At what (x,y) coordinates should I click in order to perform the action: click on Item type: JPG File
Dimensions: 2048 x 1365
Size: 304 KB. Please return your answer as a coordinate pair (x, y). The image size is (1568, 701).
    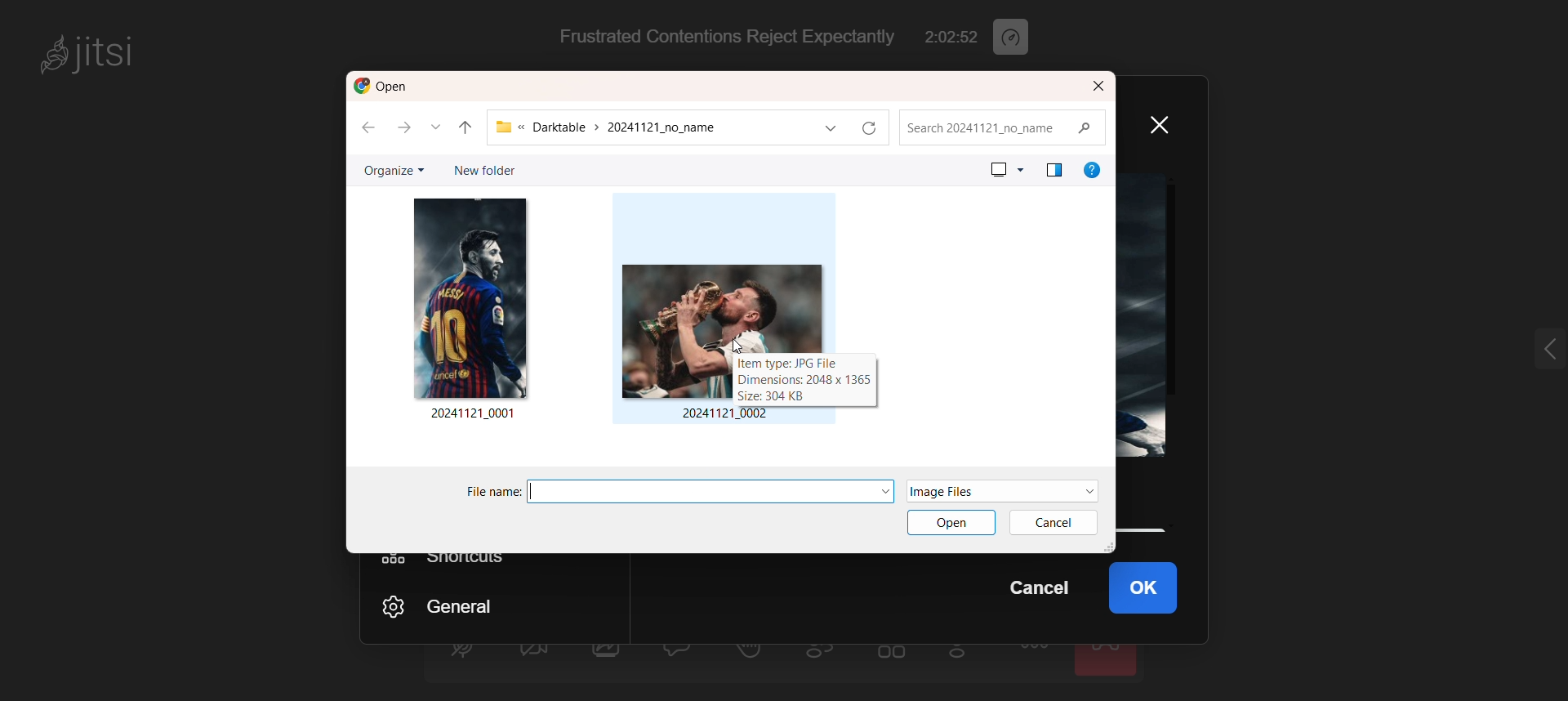
    Looking at the image, I should click on (804, 380).